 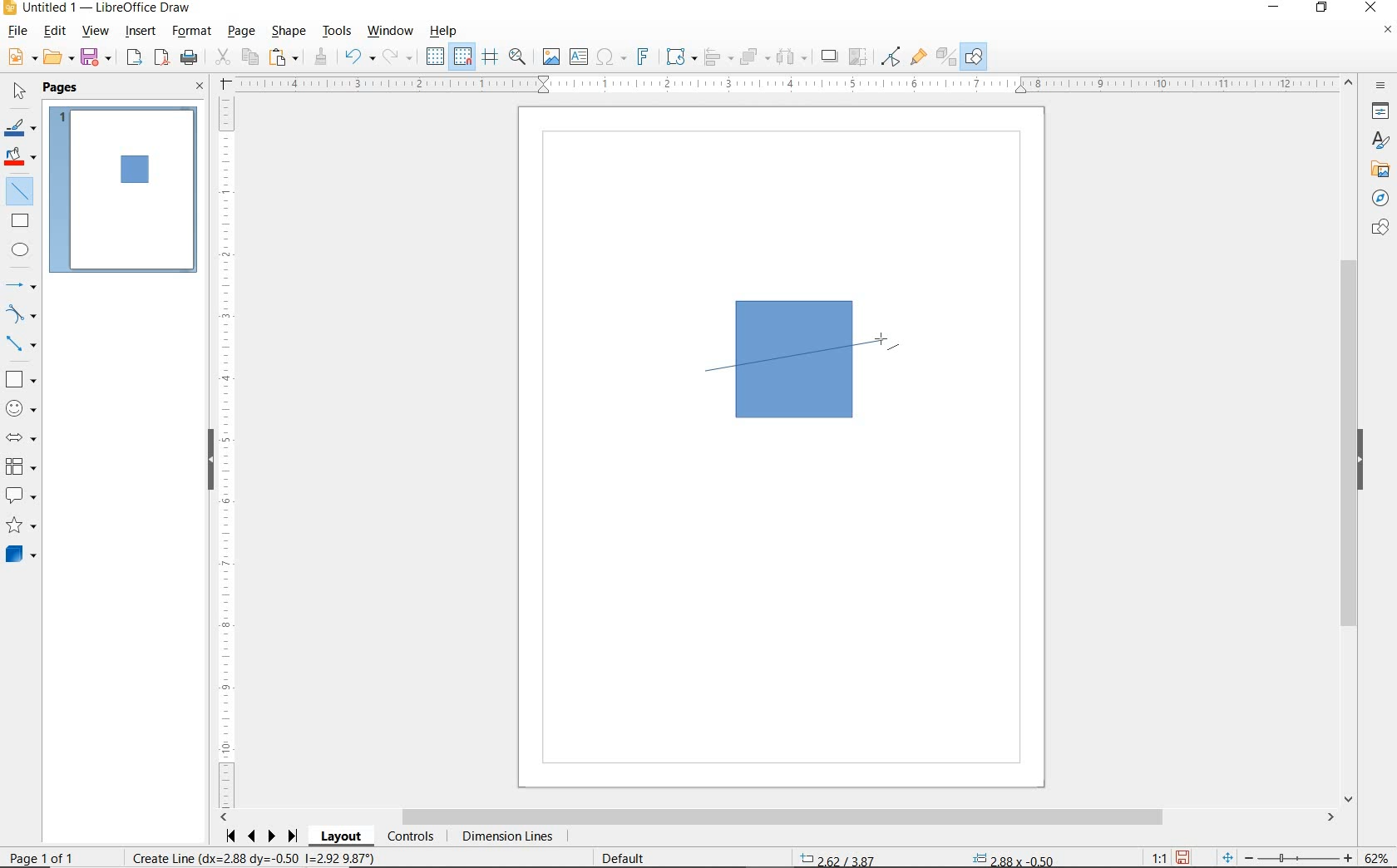 What do you see at coordinates (945, 56) in the screenshot?
I see `TOGGLE EXTRUSION` at bounding box center [945, 56].